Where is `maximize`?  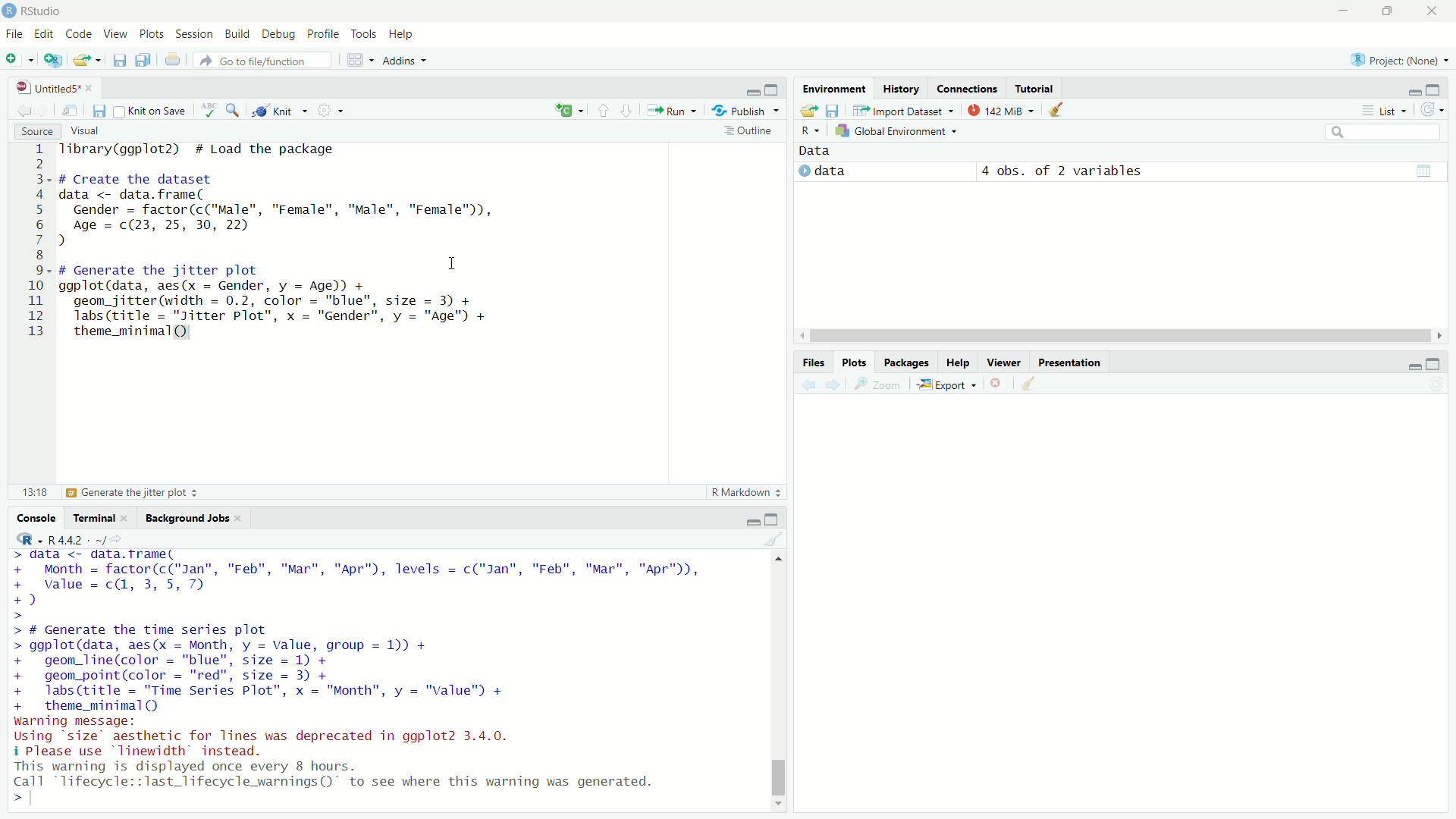 maximize is located at coordinates (776, 518).